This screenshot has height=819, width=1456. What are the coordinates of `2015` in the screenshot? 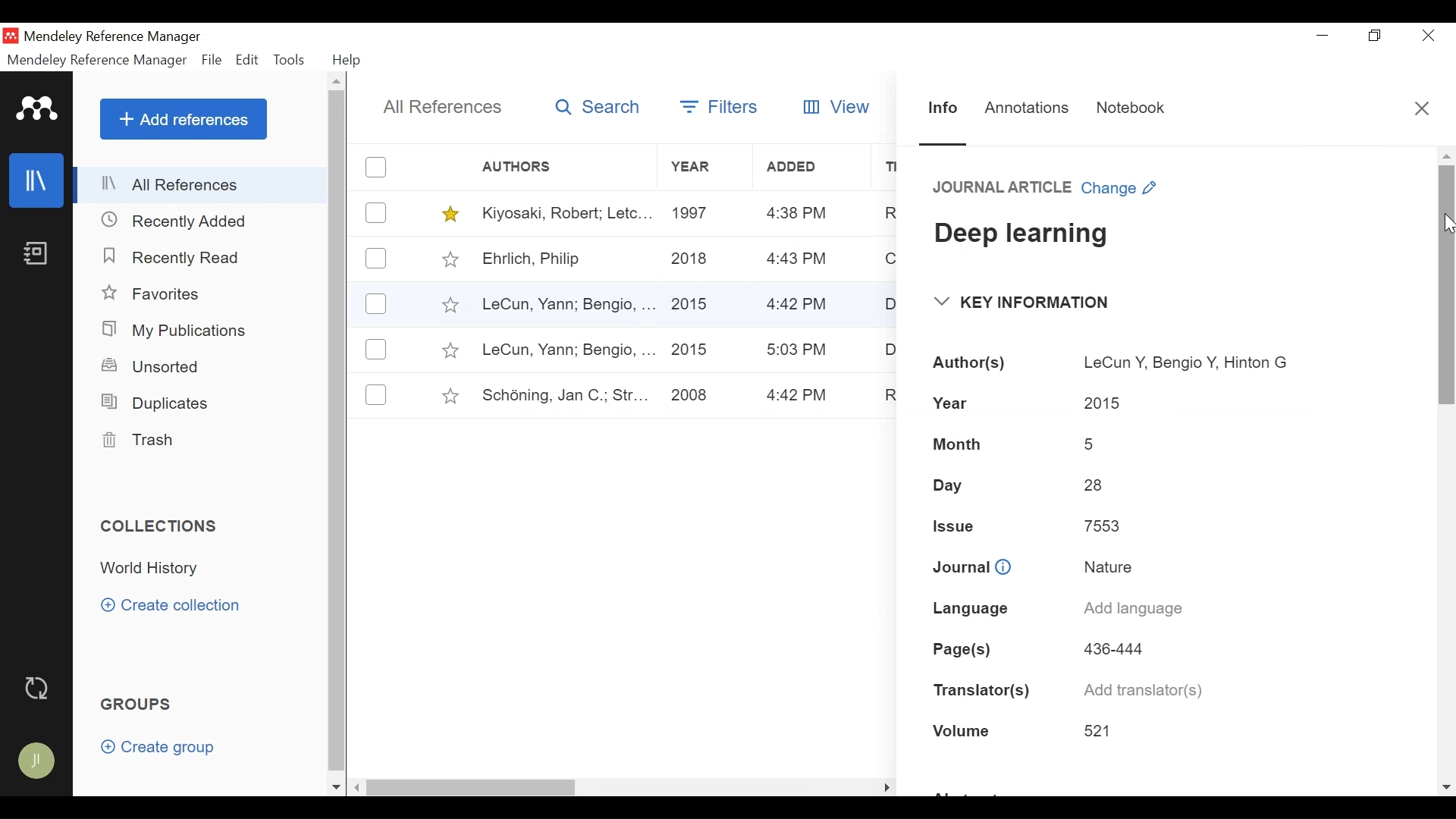 It's located at (690, 303).